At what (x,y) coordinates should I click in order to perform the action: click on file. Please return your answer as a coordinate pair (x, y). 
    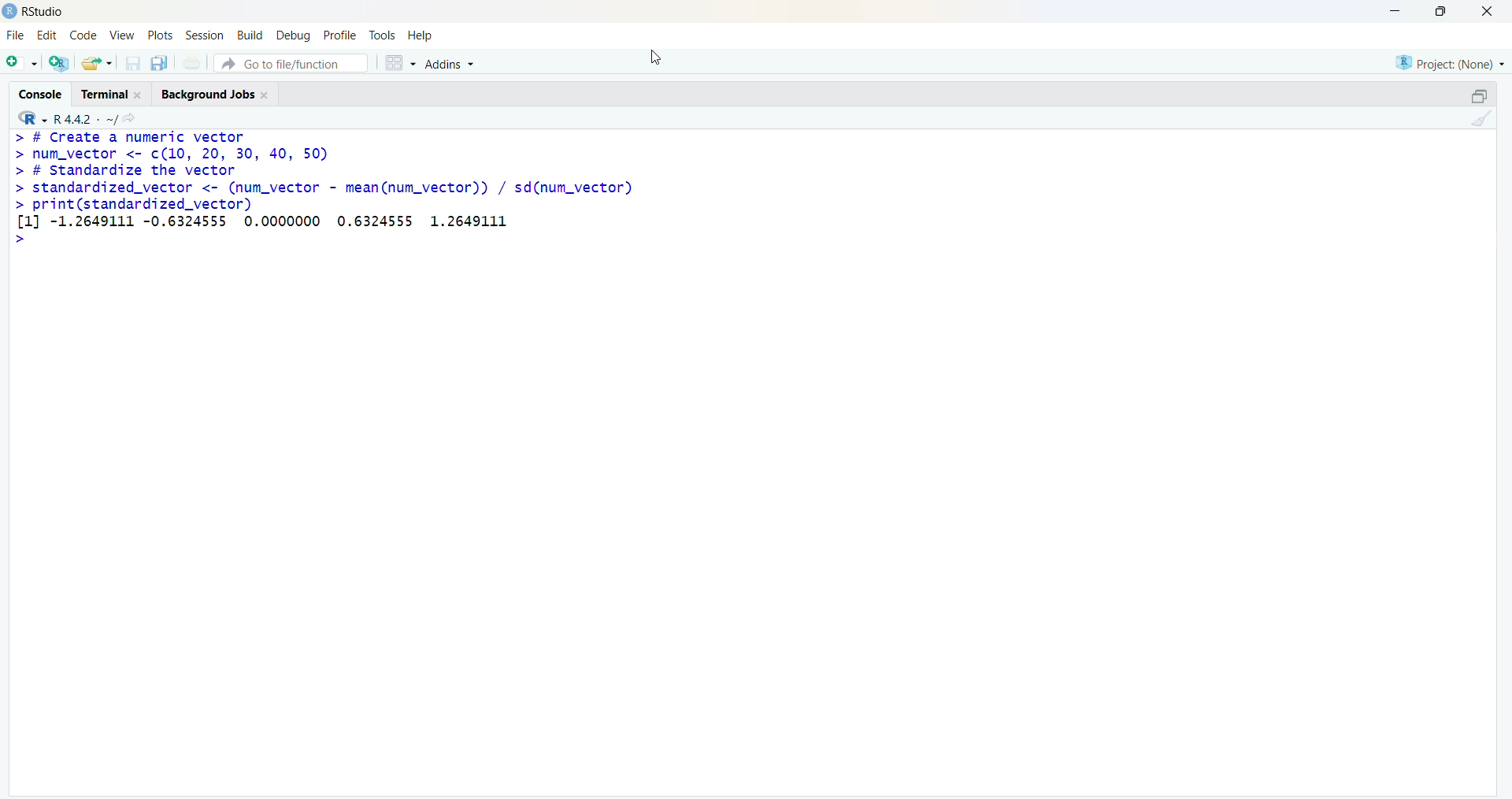
    Looking at the image, I should click on (16, 35).